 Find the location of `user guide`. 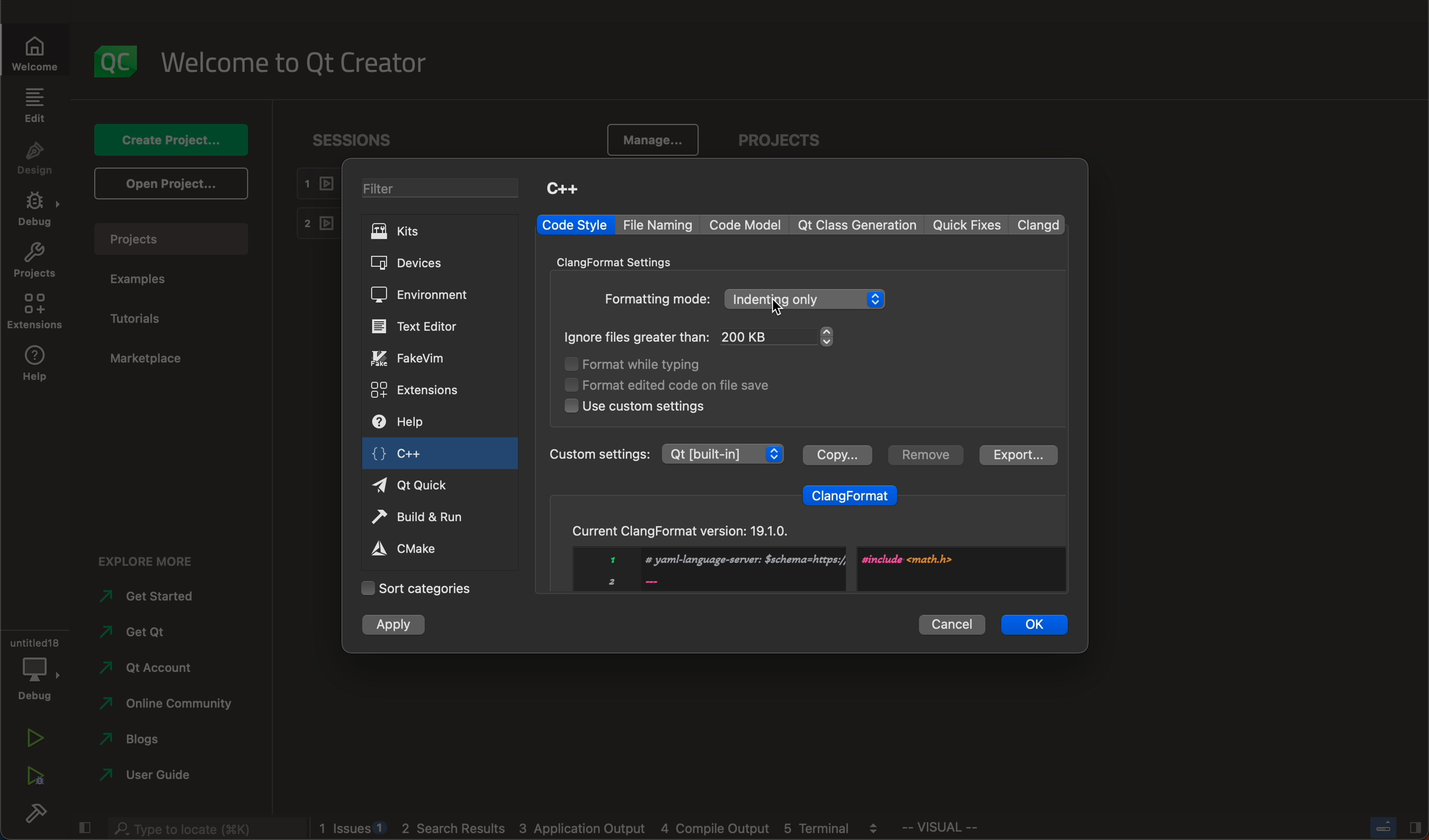

user guide is located at coordinates (149, 777).